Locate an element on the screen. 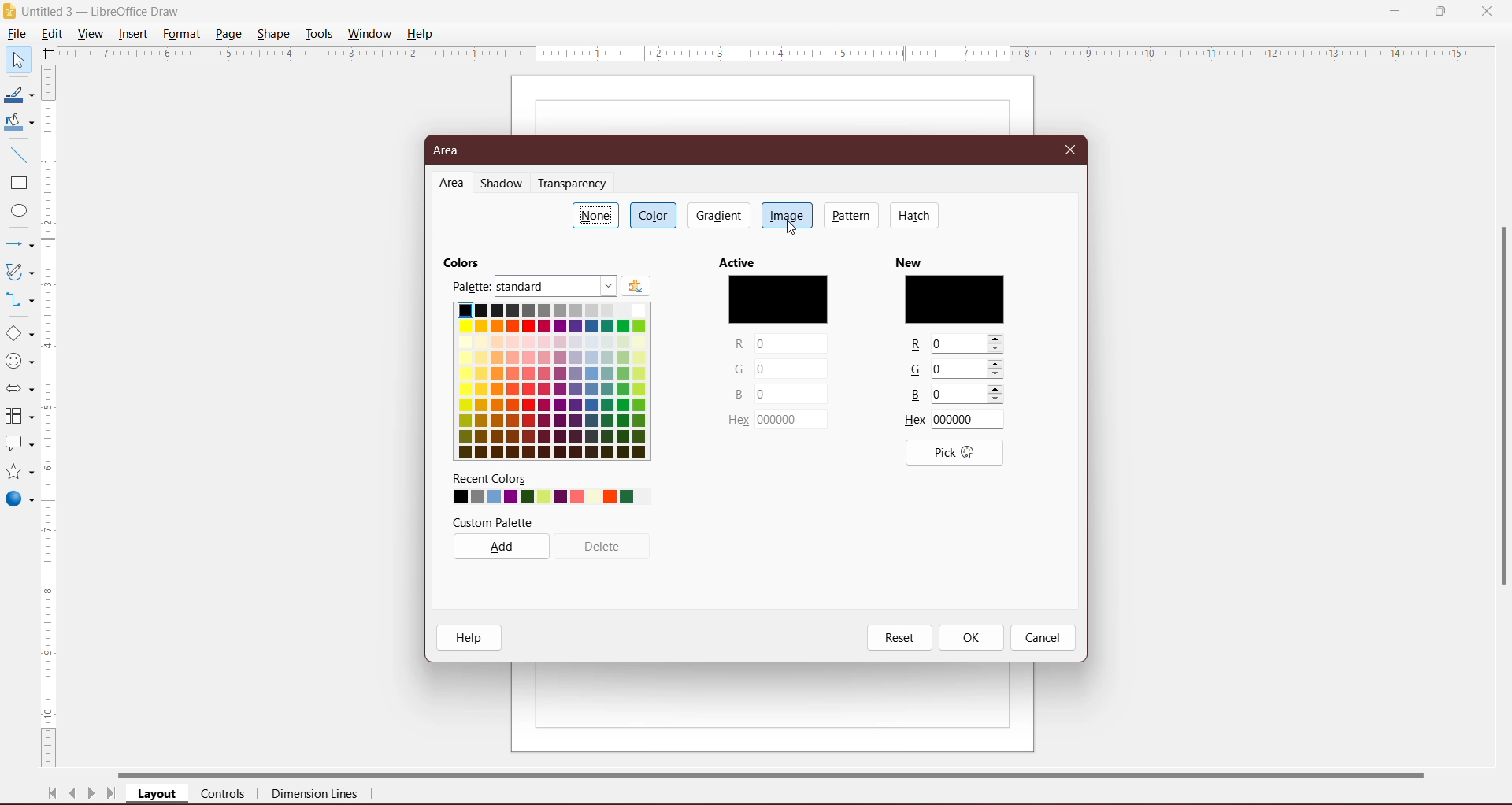  Gradient is located at coordinates (717, 215).